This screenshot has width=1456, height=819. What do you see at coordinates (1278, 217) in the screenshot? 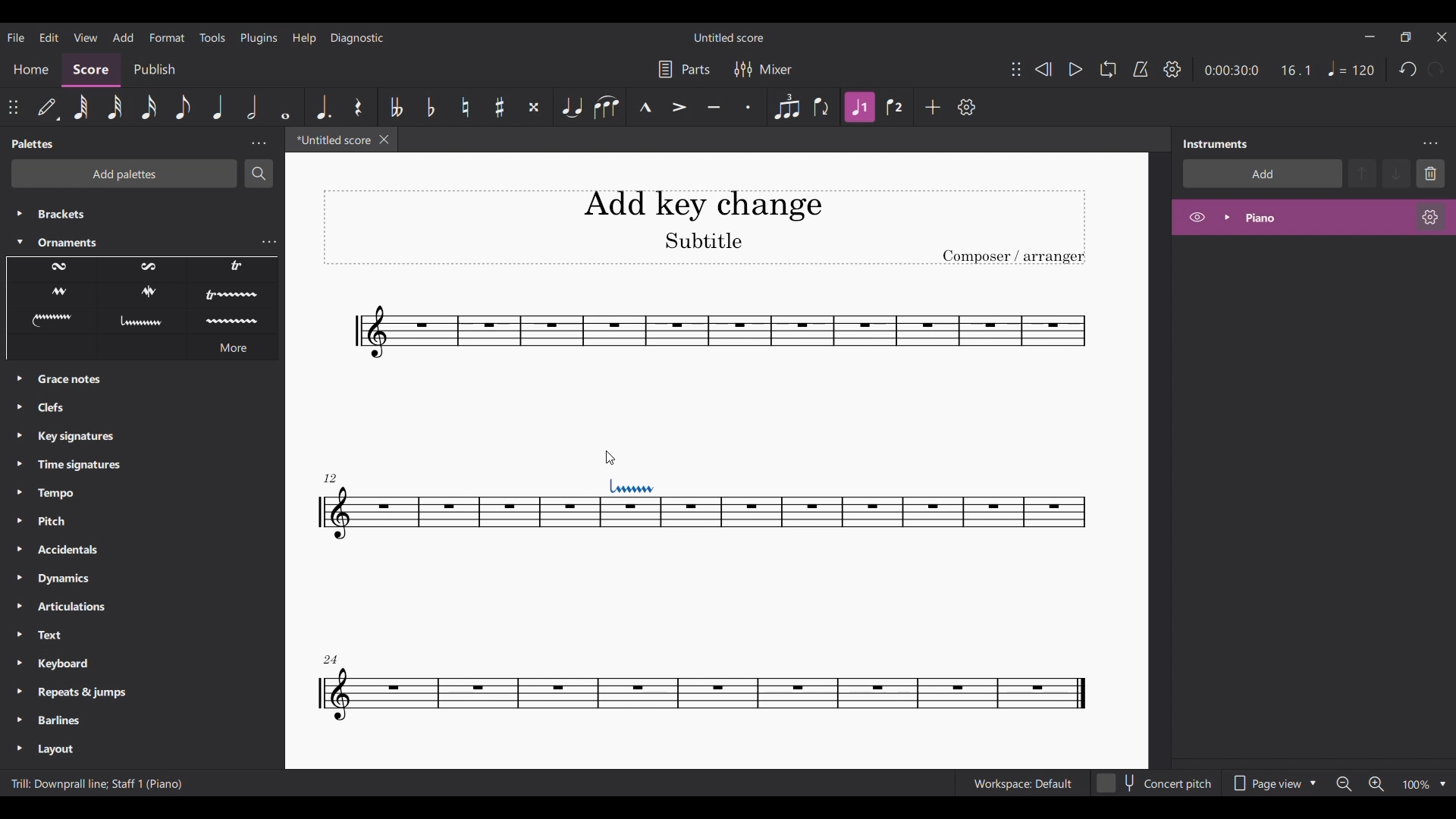
I see `Highlighted due to current action` at bounding box center [1278, 217].